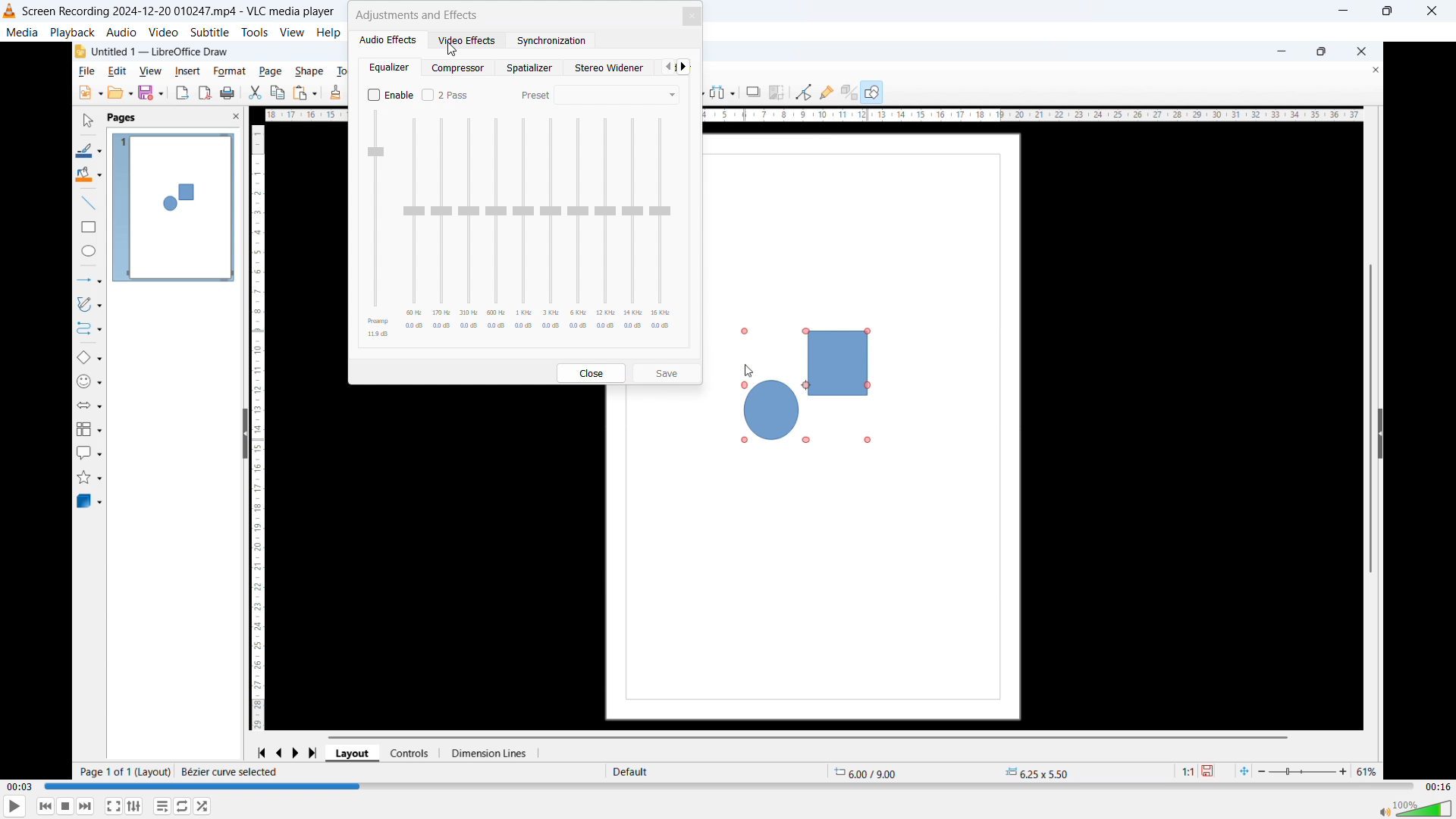 Image resolution: width=1456 pixels, height=819 pixels. What do you see at coordinates (417, 14) in the screenshot?
I see `Adjustments and effects ` at bounding box center [417, 14].